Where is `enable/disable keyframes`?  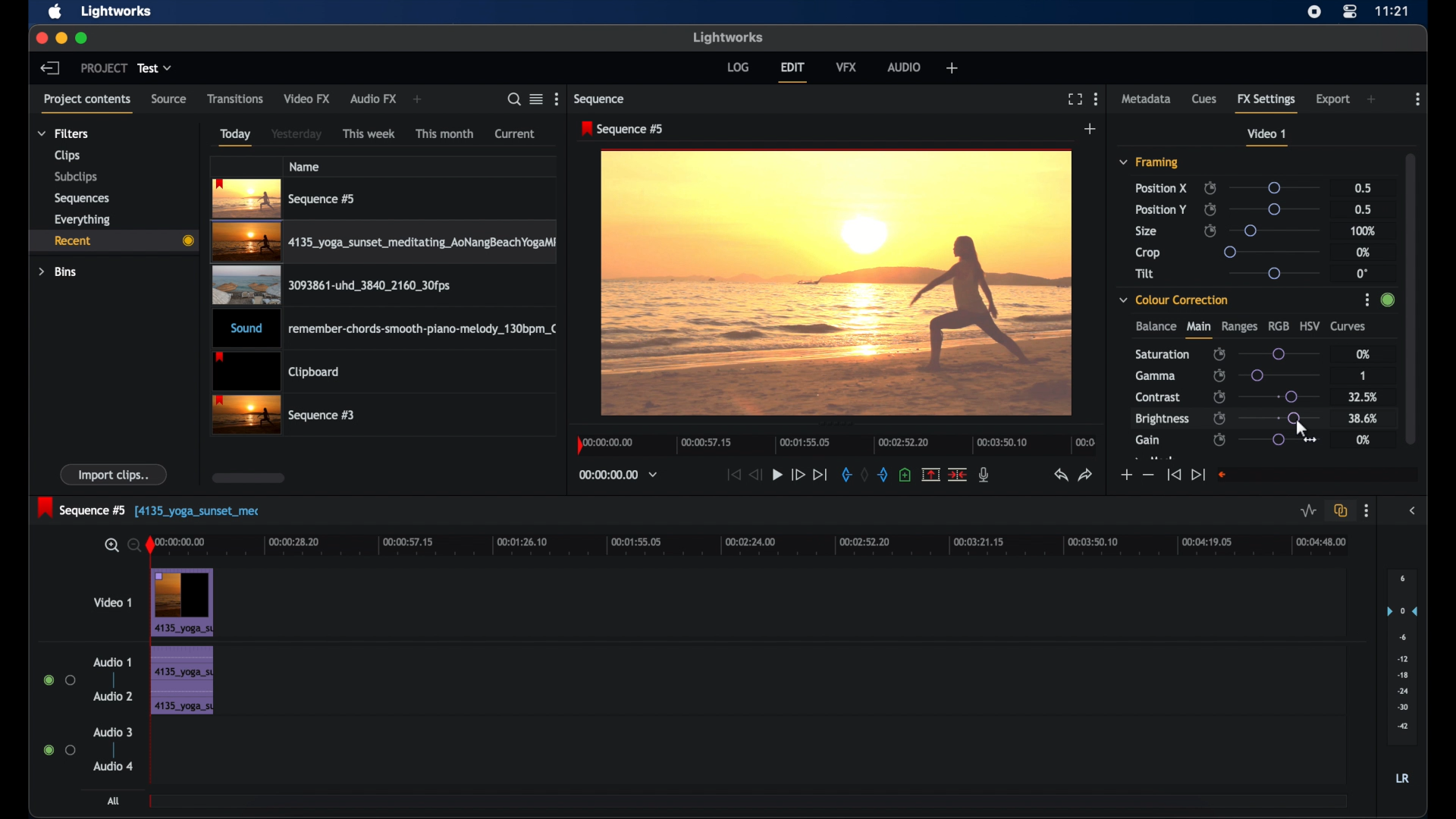
enable/disable keyframes is located at coordinates (1219, 441).